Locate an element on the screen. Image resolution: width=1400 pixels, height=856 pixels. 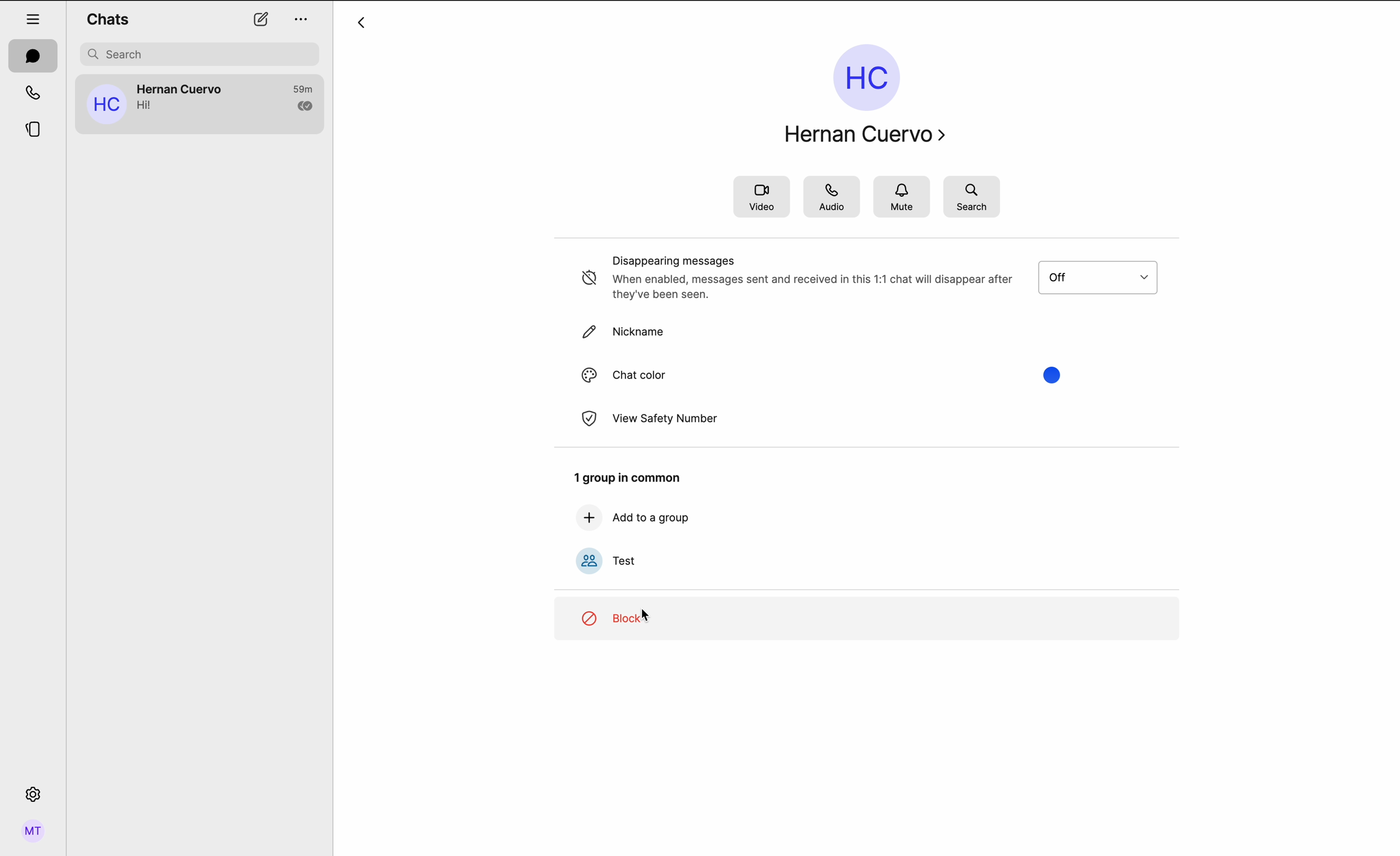
navigate arrow is located at coordinates (947, 131).